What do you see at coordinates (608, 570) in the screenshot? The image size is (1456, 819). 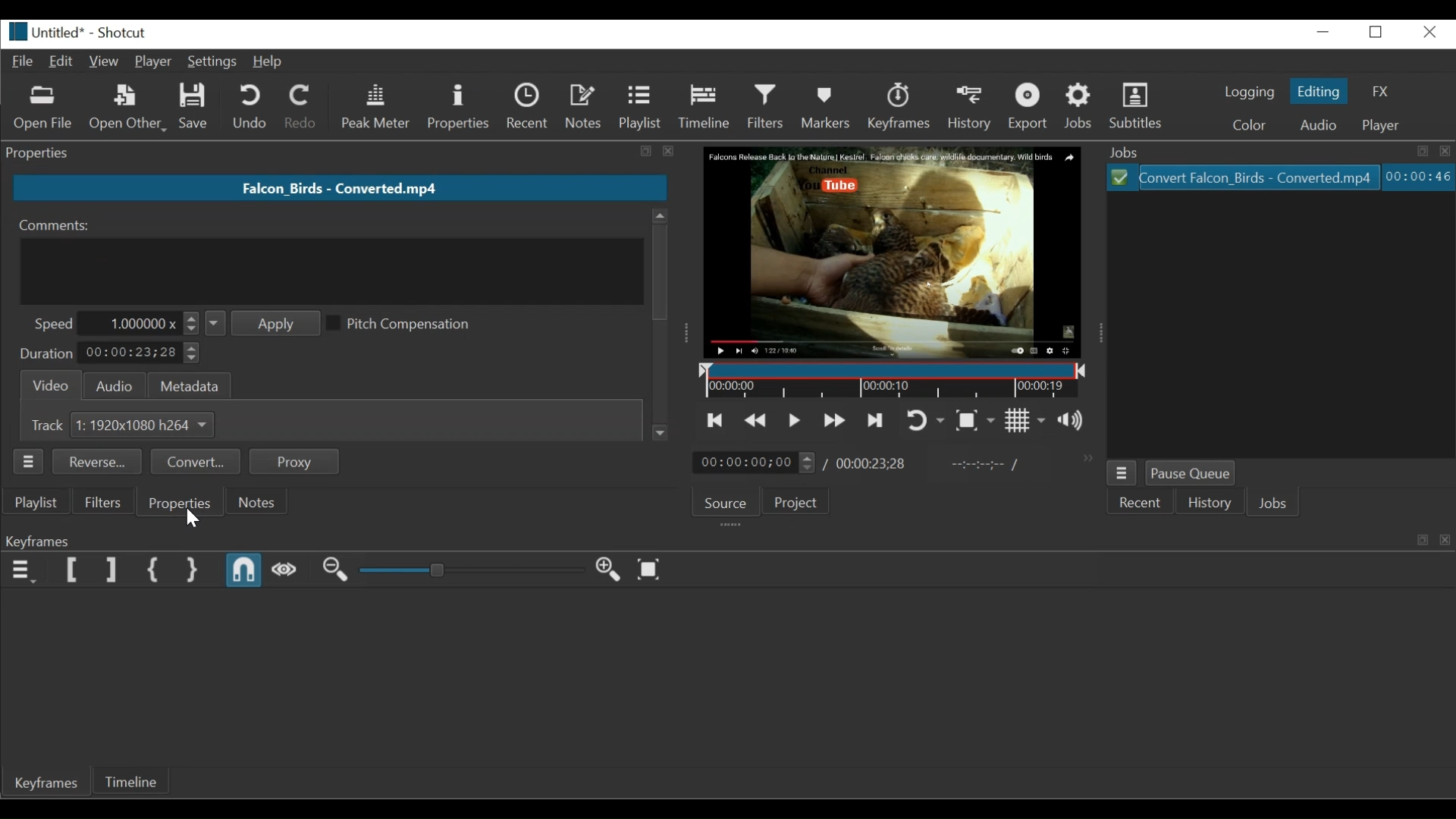 I see `Zoom in Keyframe` at bounding box center [608, 570].